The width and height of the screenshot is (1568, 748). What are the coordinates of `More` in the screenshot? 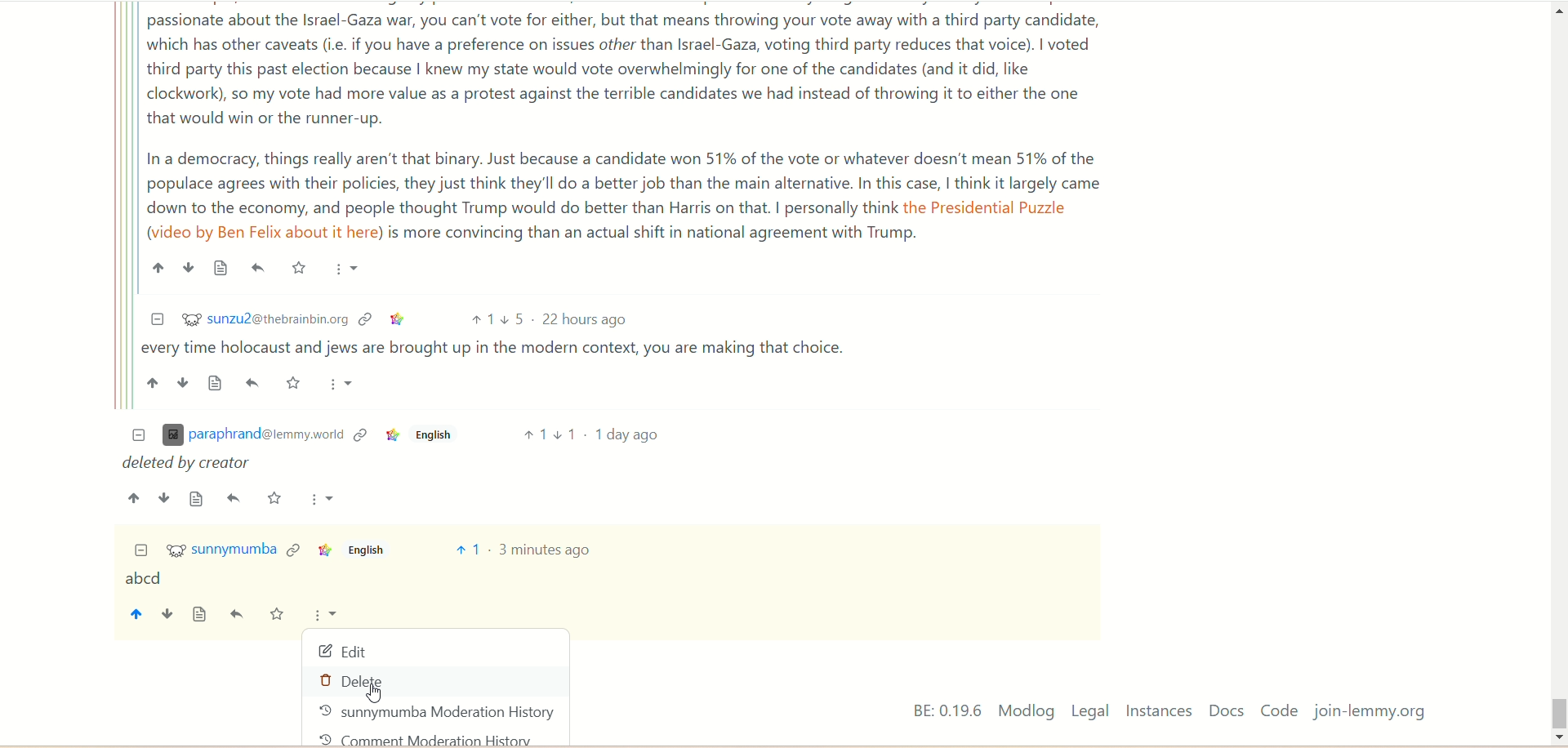 It's located at (347, 270).